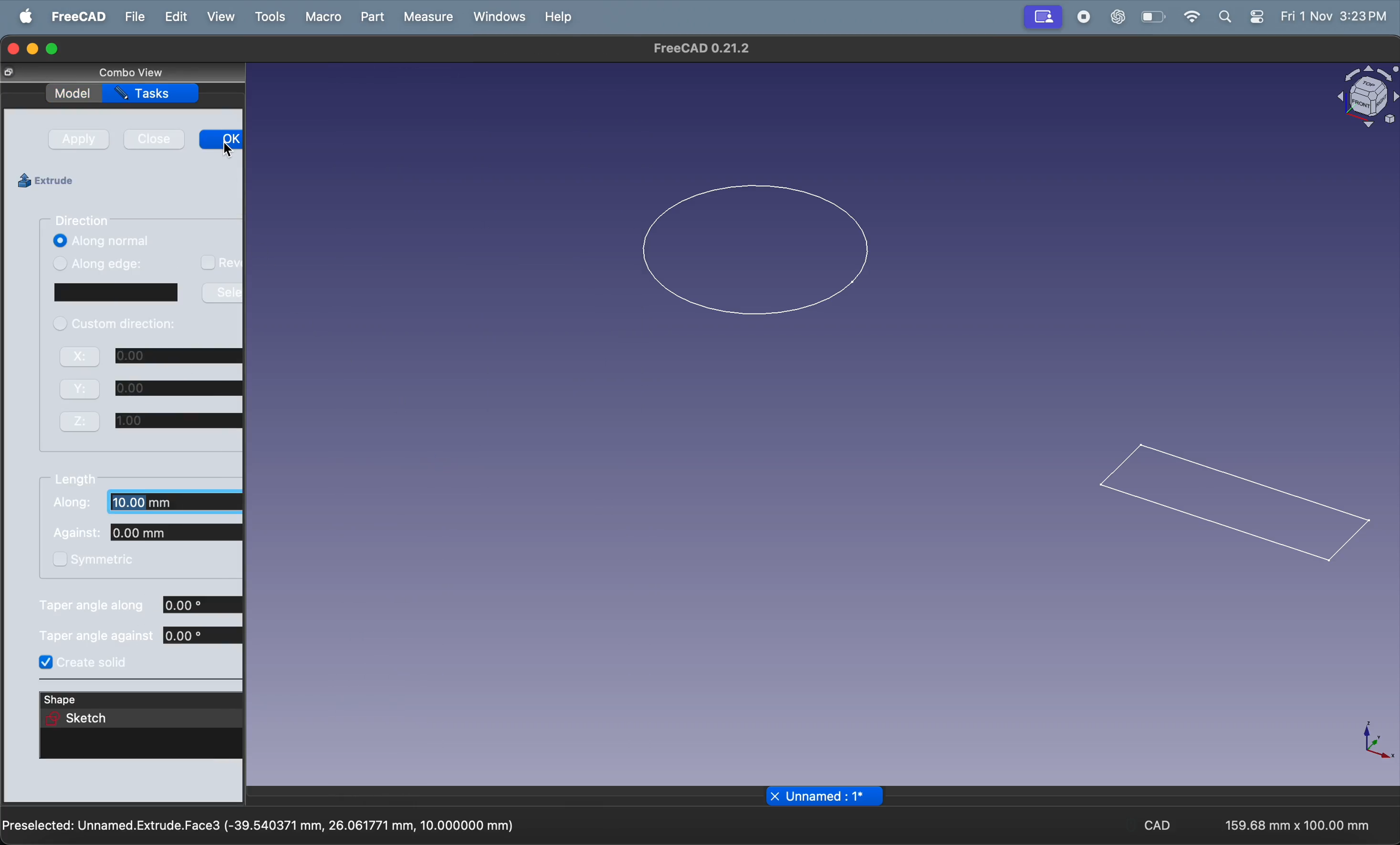  What do you see at coordinates (51, 49) in the screenshot?
I see `maximize` at bounding box center [51, 49].